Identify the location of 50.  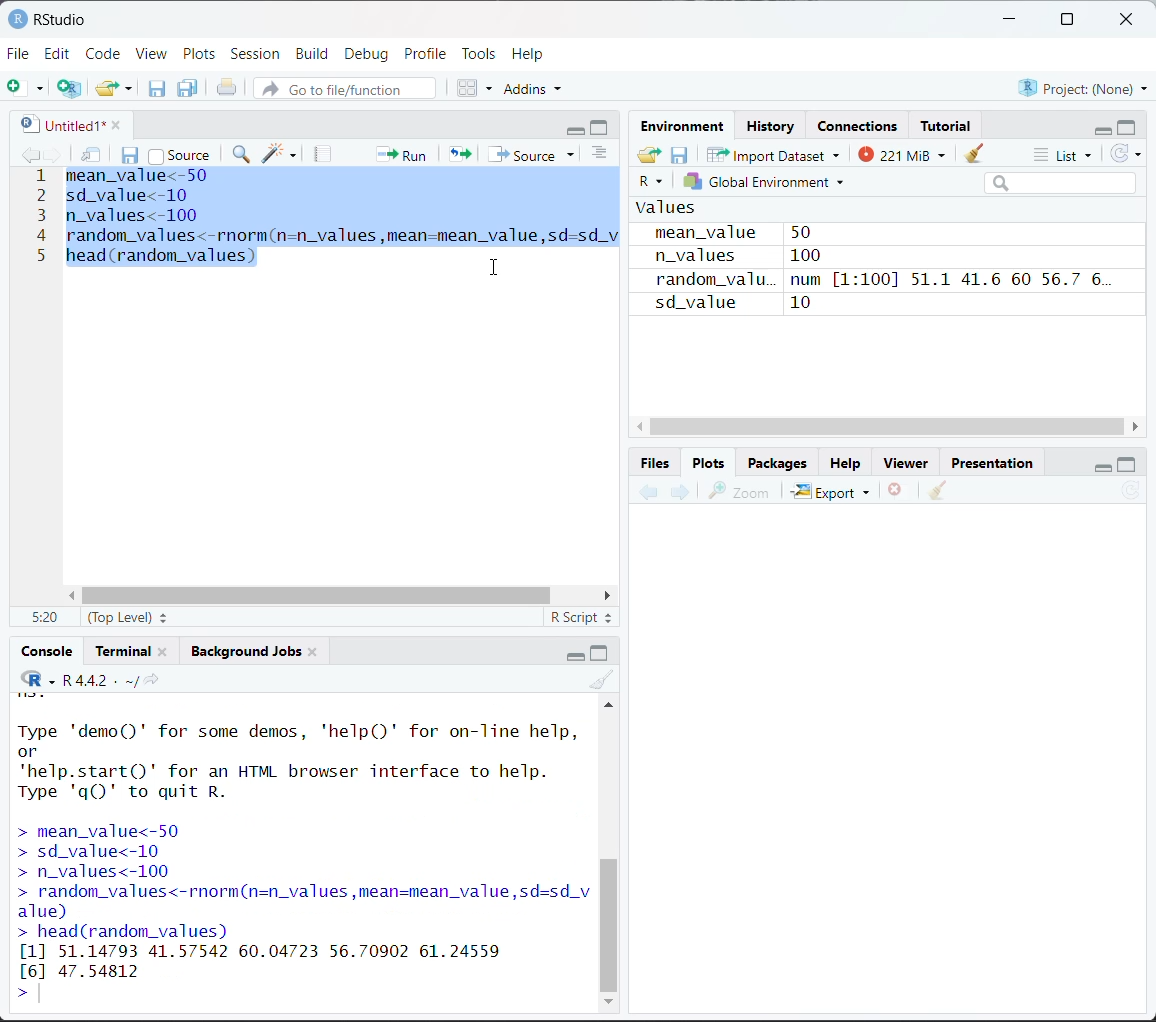
(800, 231).